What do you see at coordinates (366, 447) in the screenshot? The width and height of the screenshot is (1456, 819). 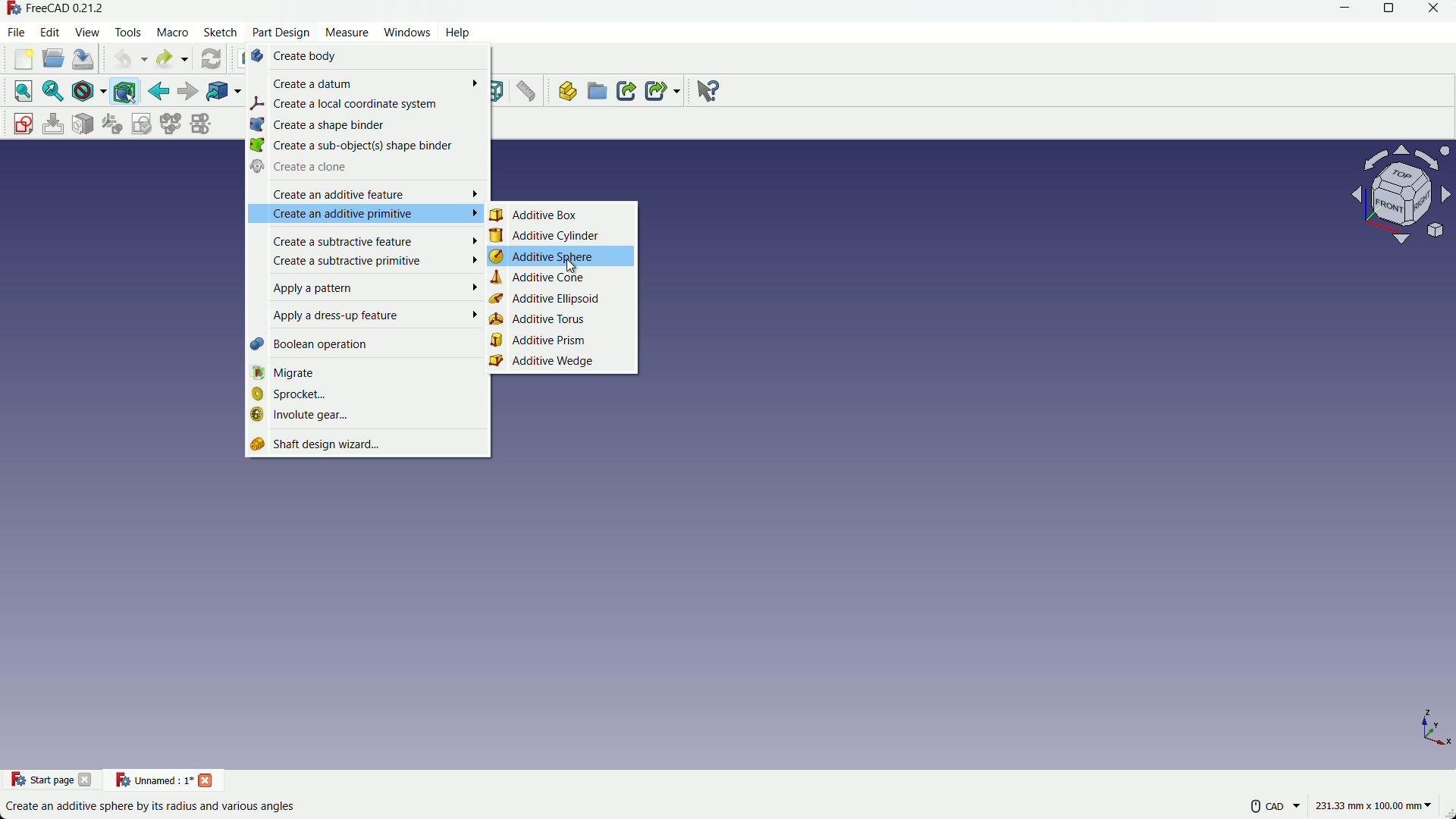 I see `shaft design wizard` at bounding box center [366, 447].